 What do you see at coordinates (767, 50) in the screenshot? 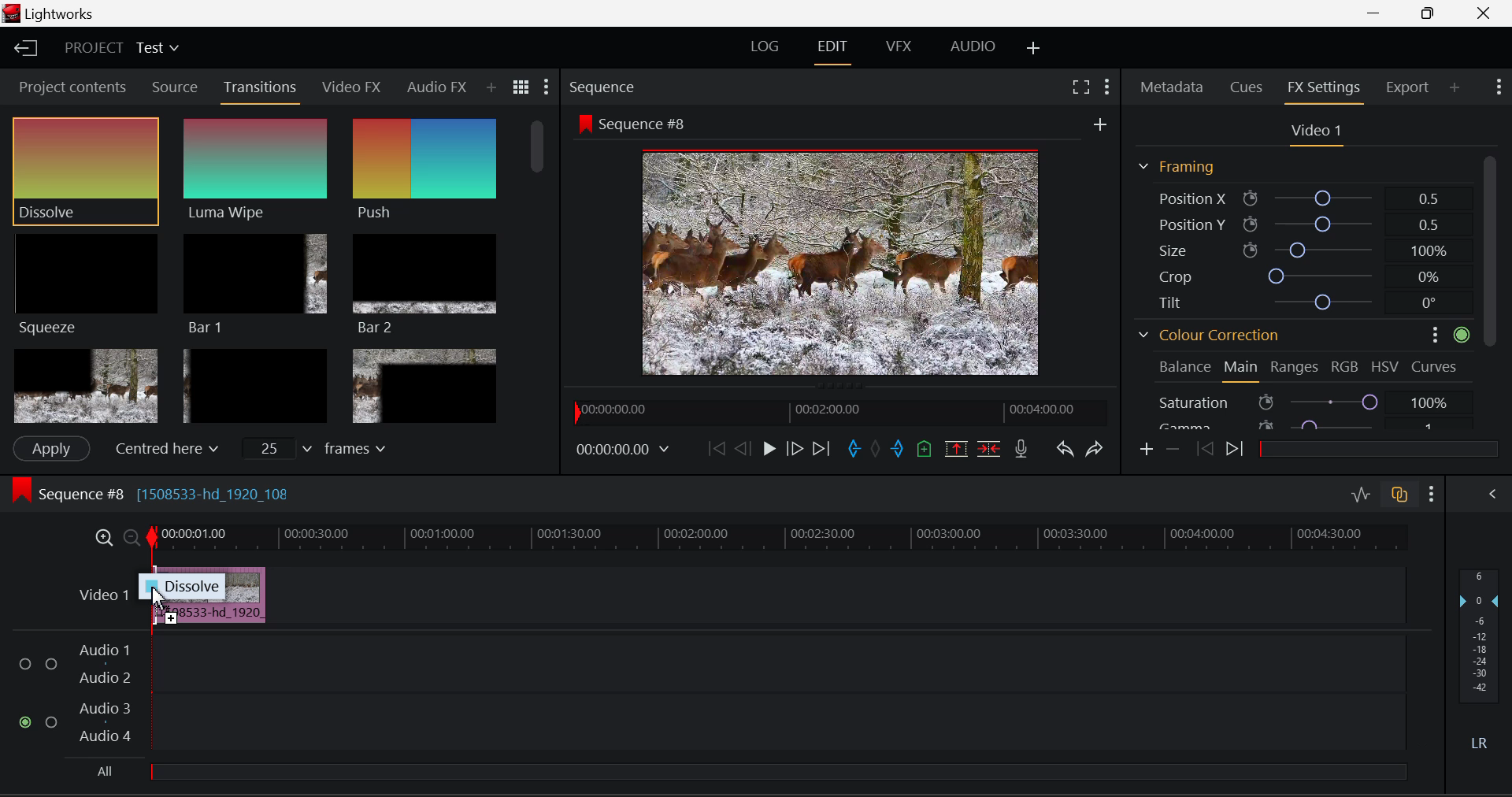
I see `LOG Layout` at bounding box center [767, 50].